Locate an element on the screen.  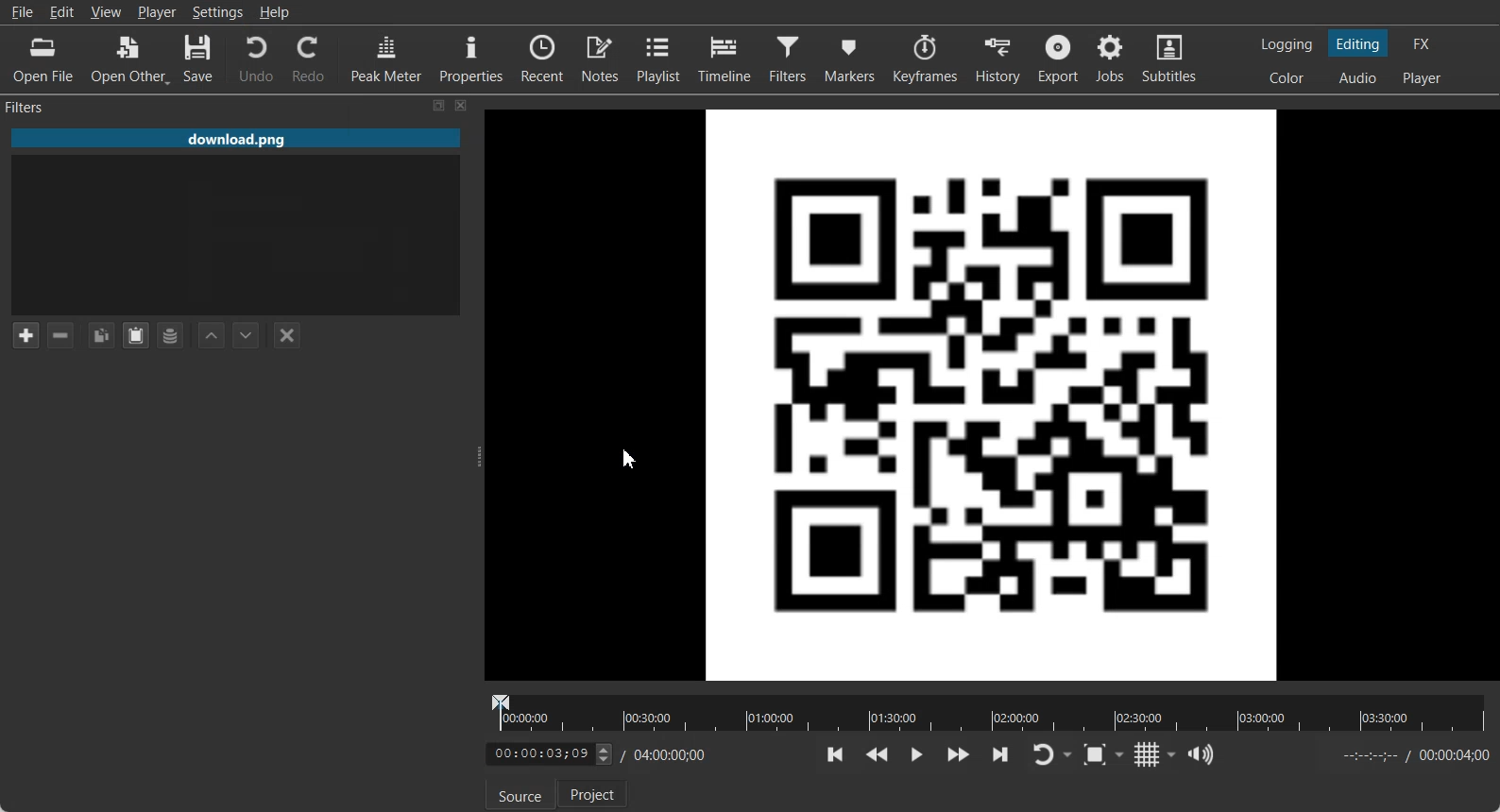
Remove selected Filter is located at coordinates (62, 335).